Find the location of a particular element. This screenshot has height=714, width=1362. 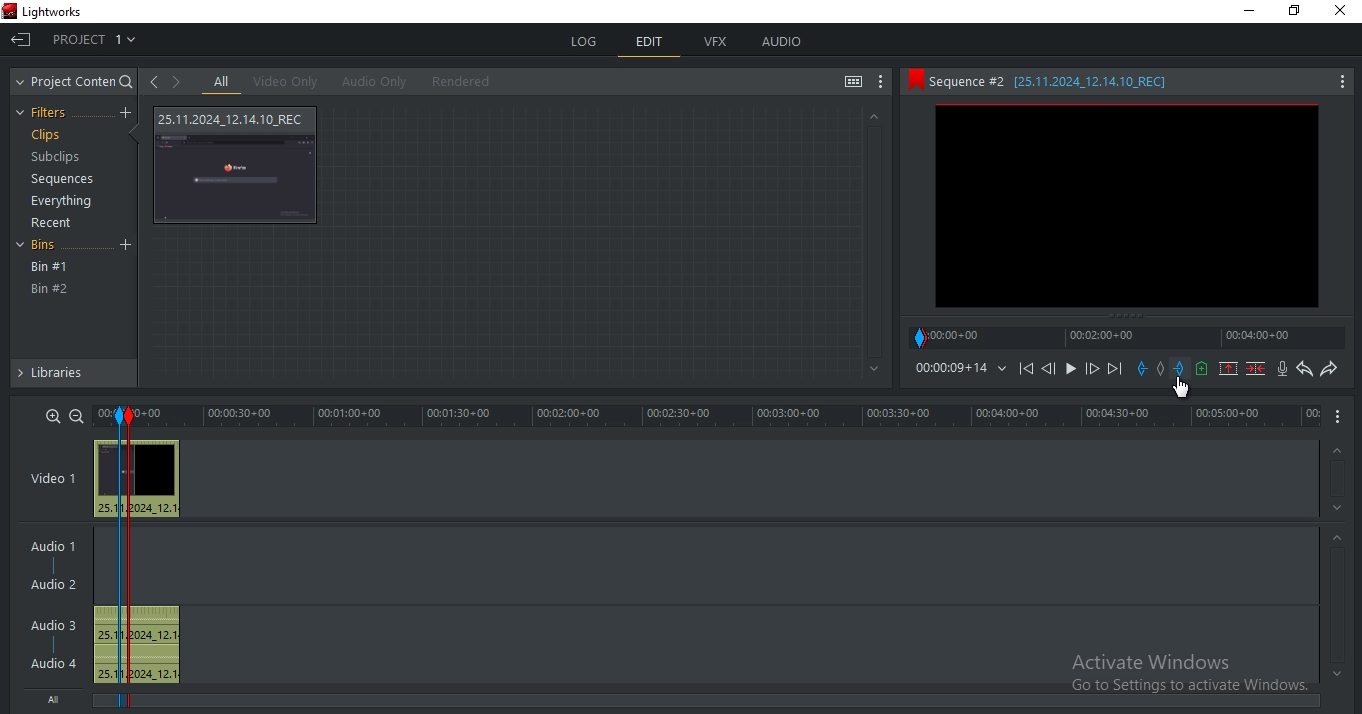

redo is located at coordinates (1329, 370).